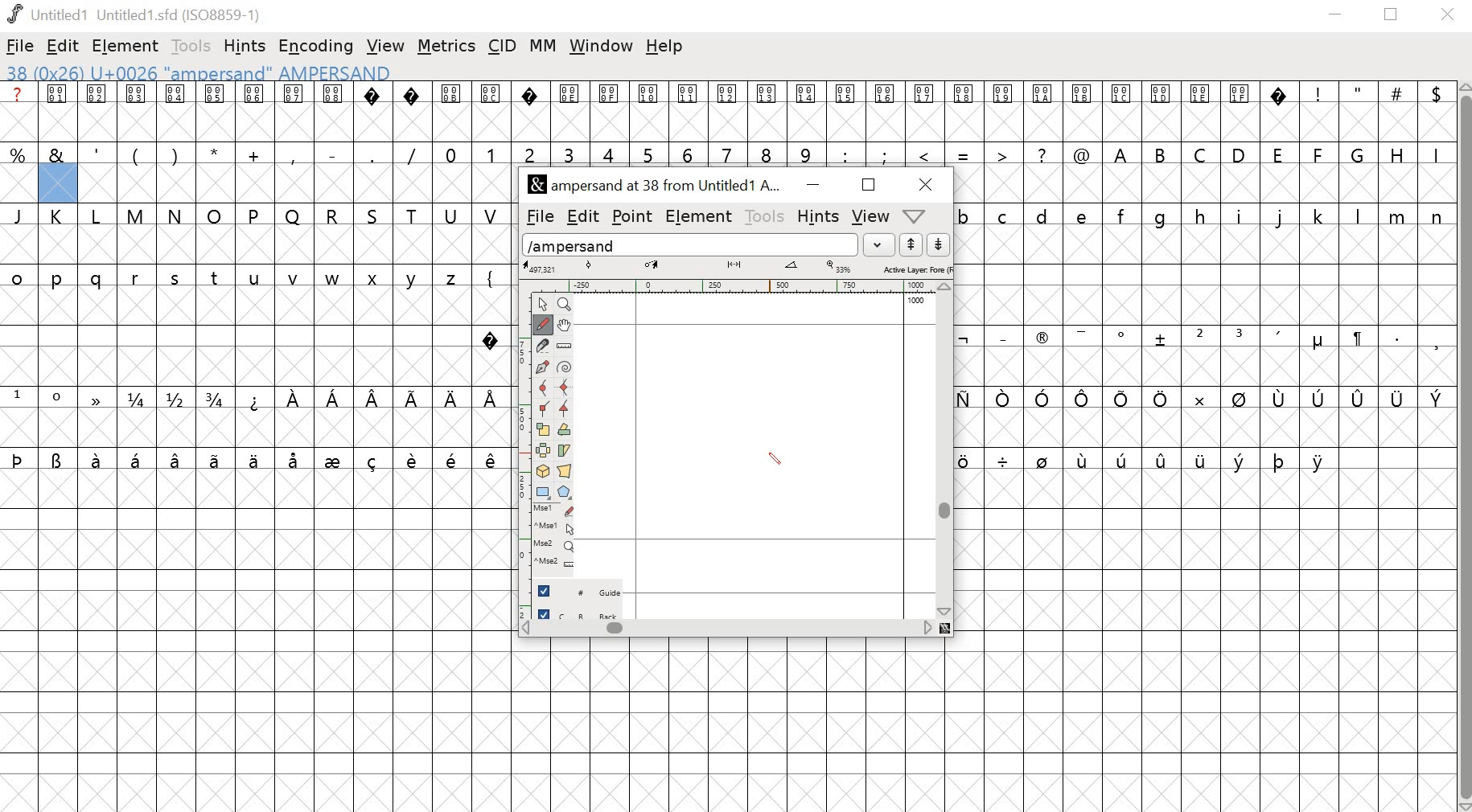 The image size is (1472, 812). Describe the element at coordinates (19, 458) in the screenshot. I see `symbol` at that location.